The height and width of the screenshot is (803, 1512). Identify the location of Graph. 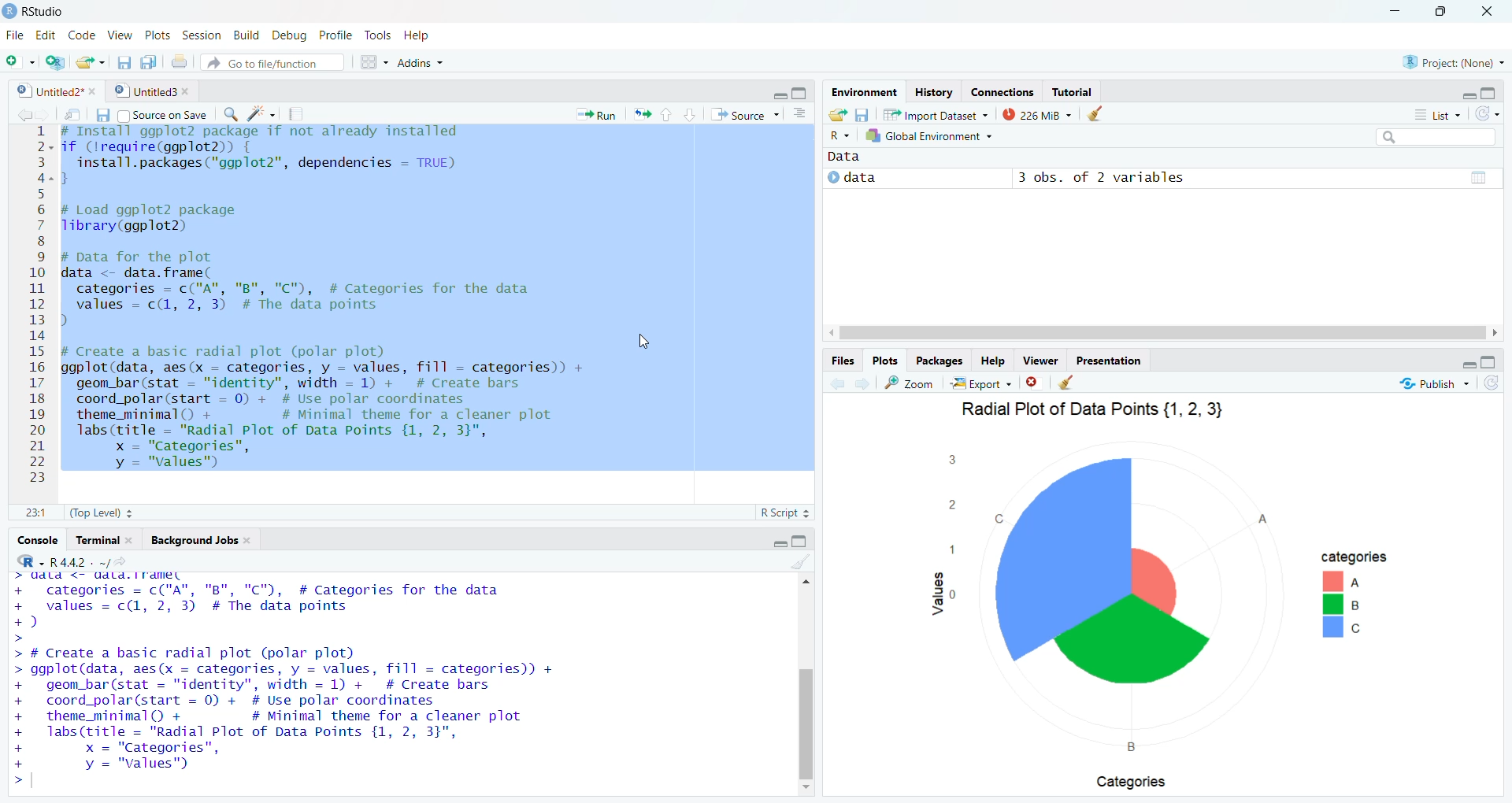
(1172, 620).